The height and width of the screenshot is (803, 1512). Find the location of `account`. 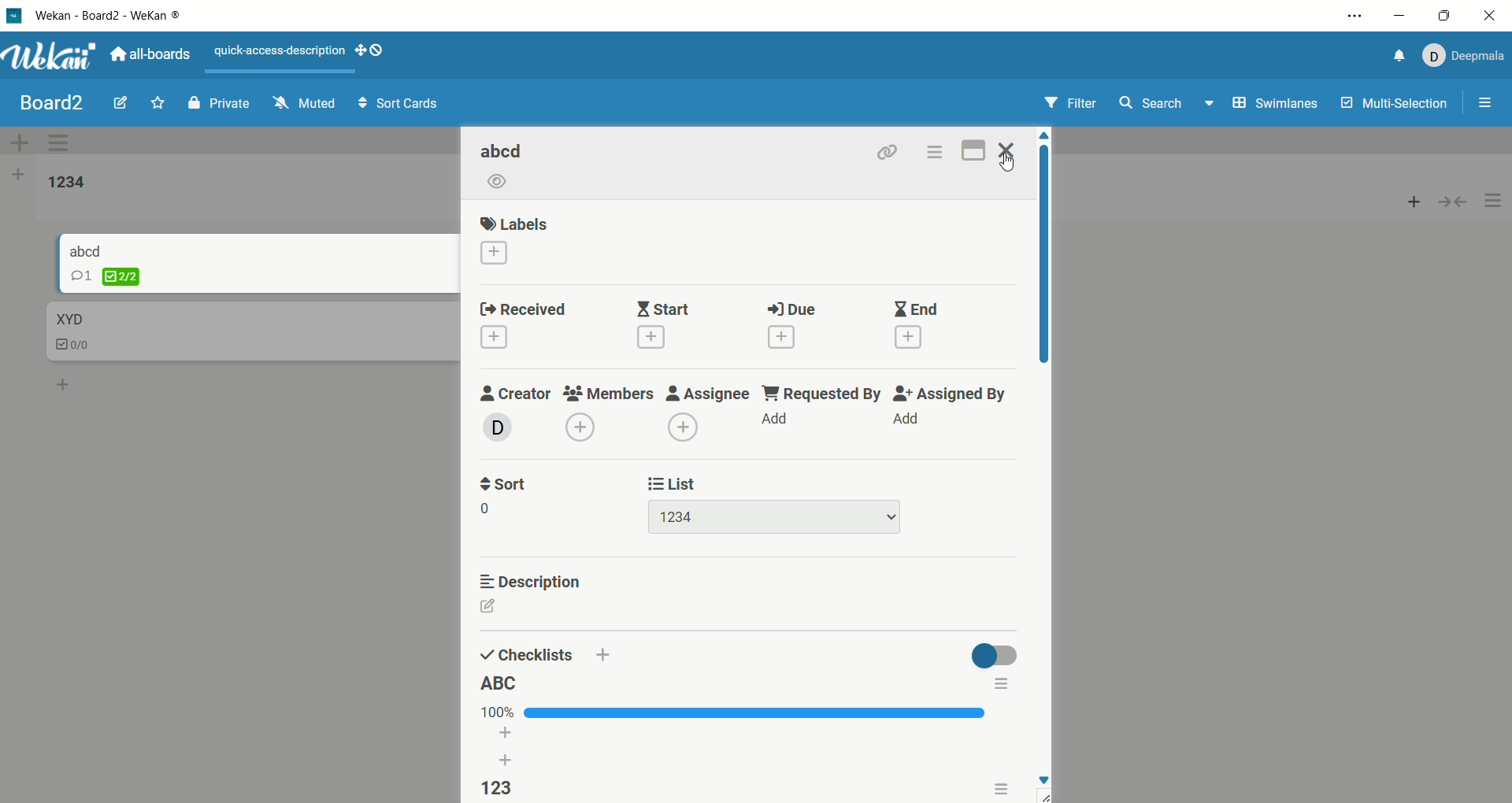

account is located at coordinates (1466, 57).